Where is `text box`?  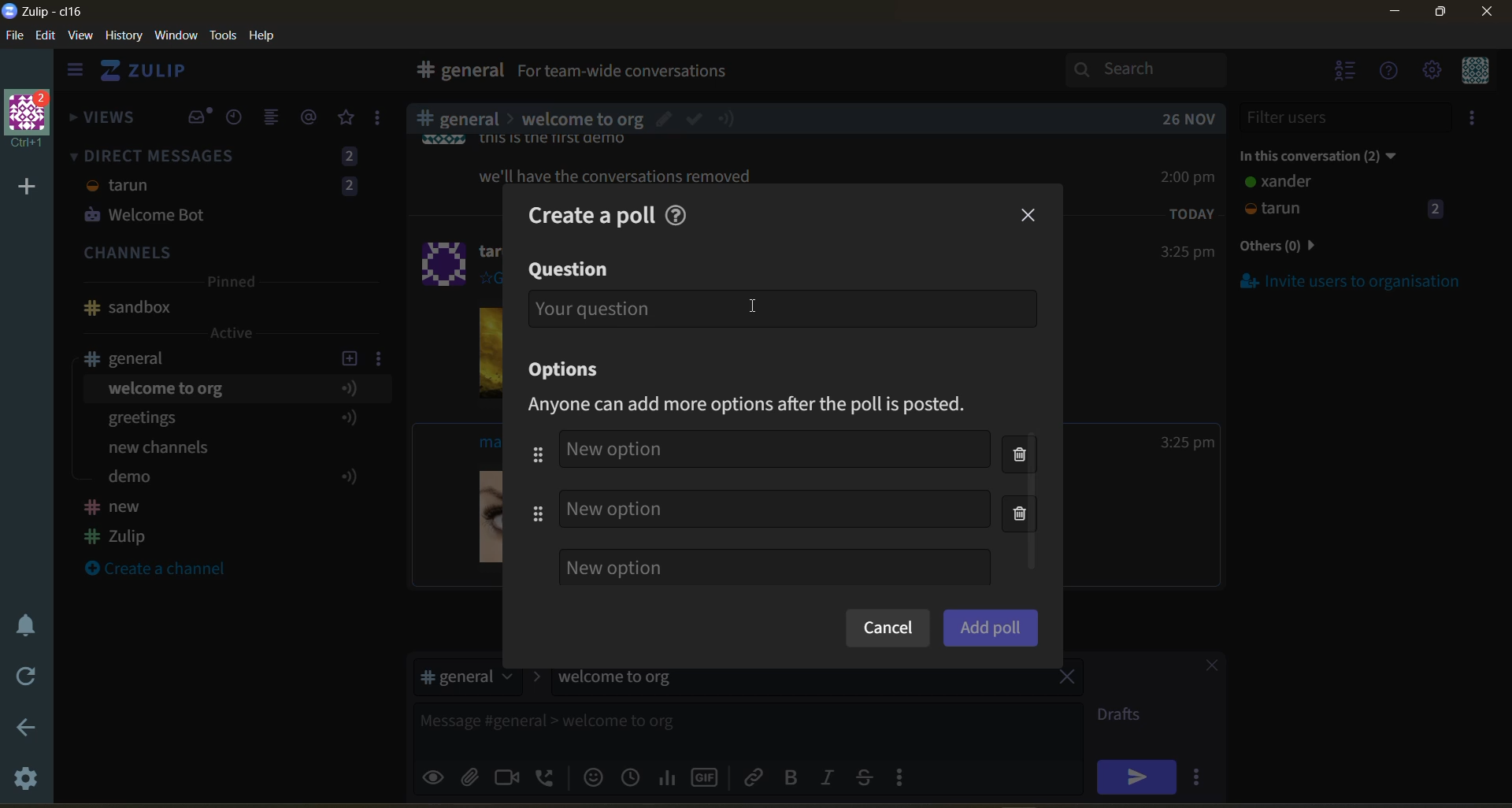 text box is located at coordinates (707, 727).